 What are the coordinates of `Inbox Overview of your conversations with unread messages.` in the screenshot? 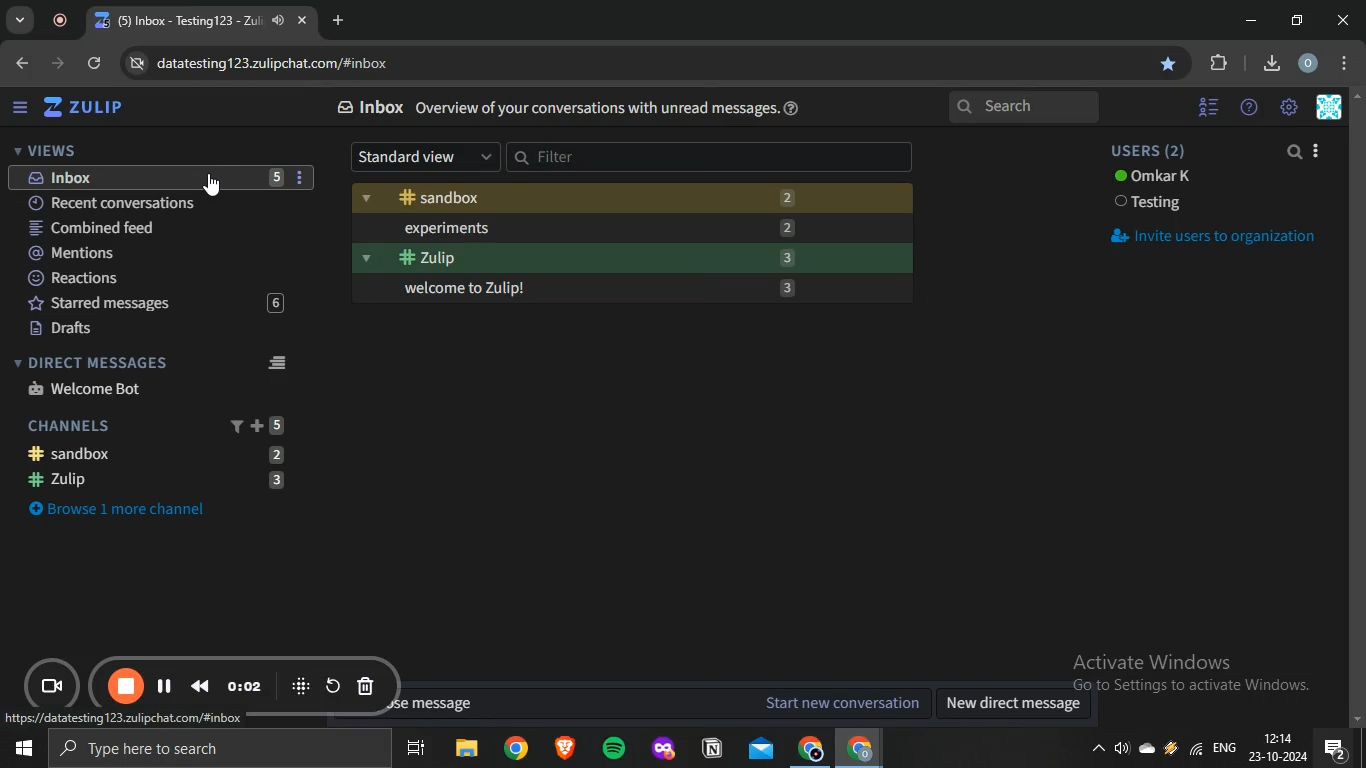 It's located at (559, 108).